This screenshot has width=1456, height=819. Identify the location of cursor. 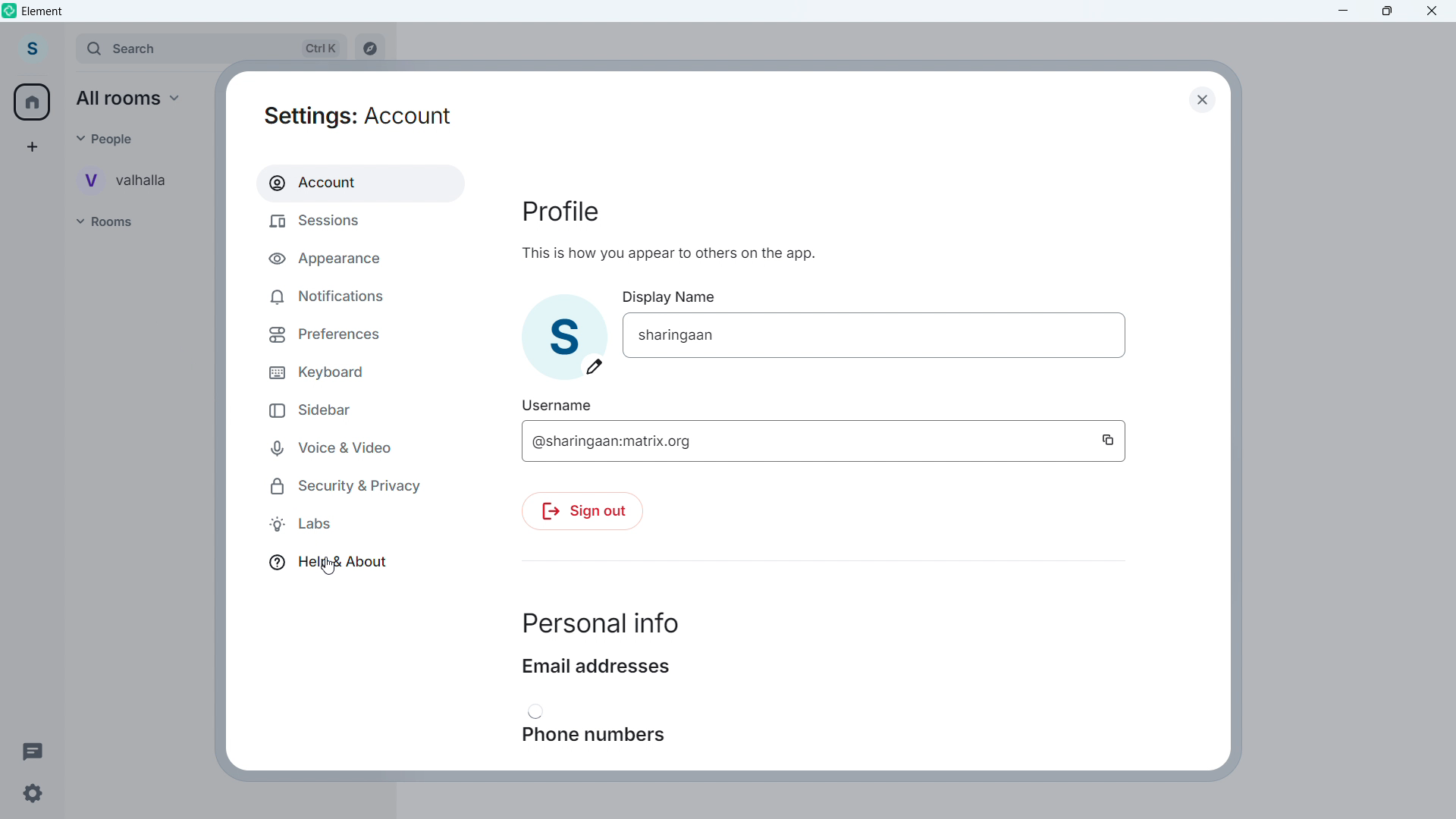
(331, 566).